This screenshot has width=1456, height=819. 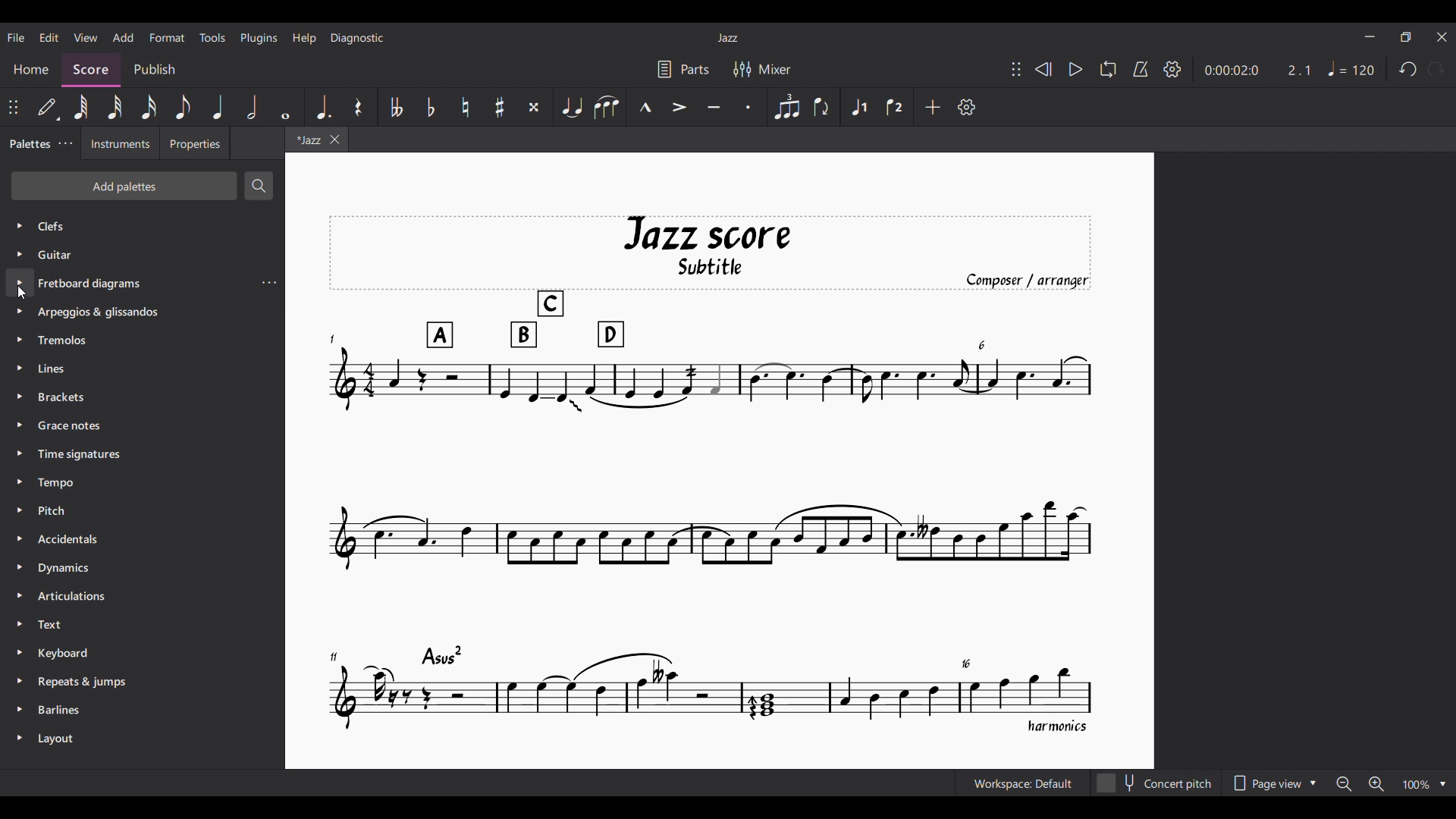 What do you see at coordinates (219, 107) in the screenshot?
I see `Quarter note` at bounding box center [219, 107].